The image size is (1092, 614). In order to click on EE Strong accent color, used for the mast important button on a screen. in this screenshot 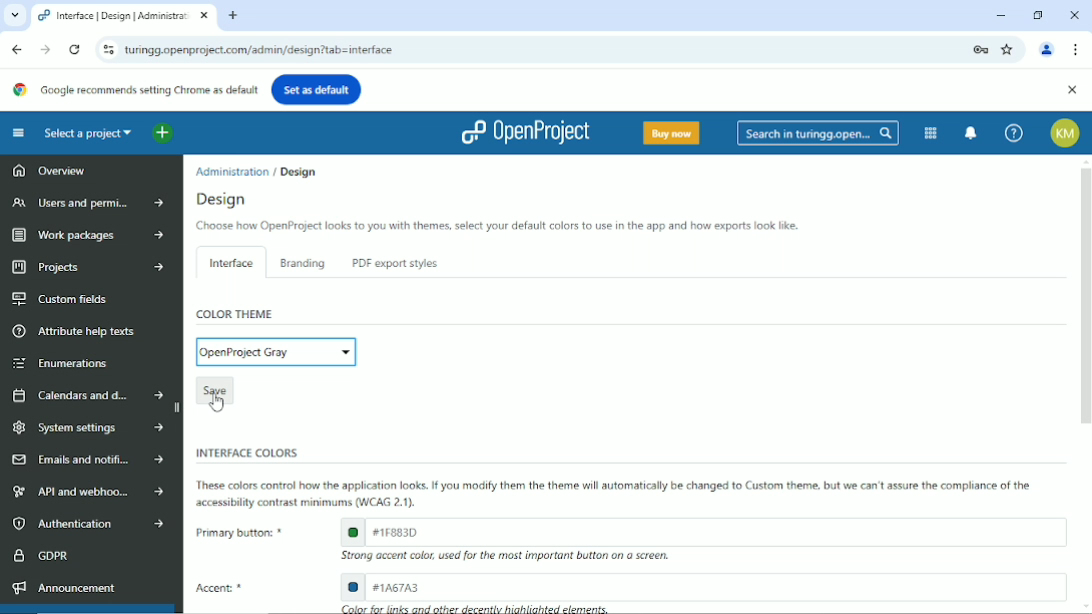, I will do `click(515, 557)`.